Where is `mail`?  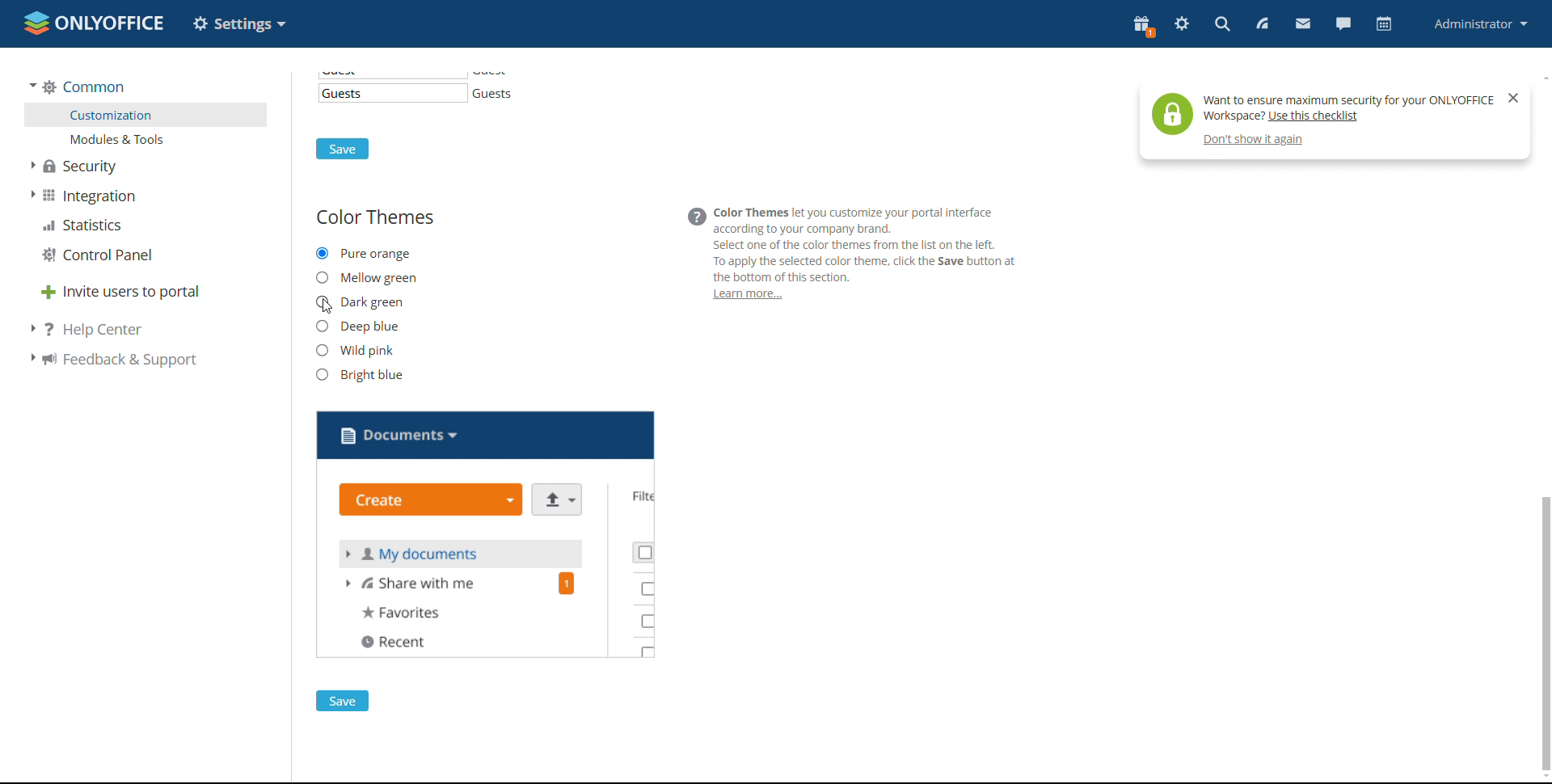
mail is located at coordinates (1303, 23).